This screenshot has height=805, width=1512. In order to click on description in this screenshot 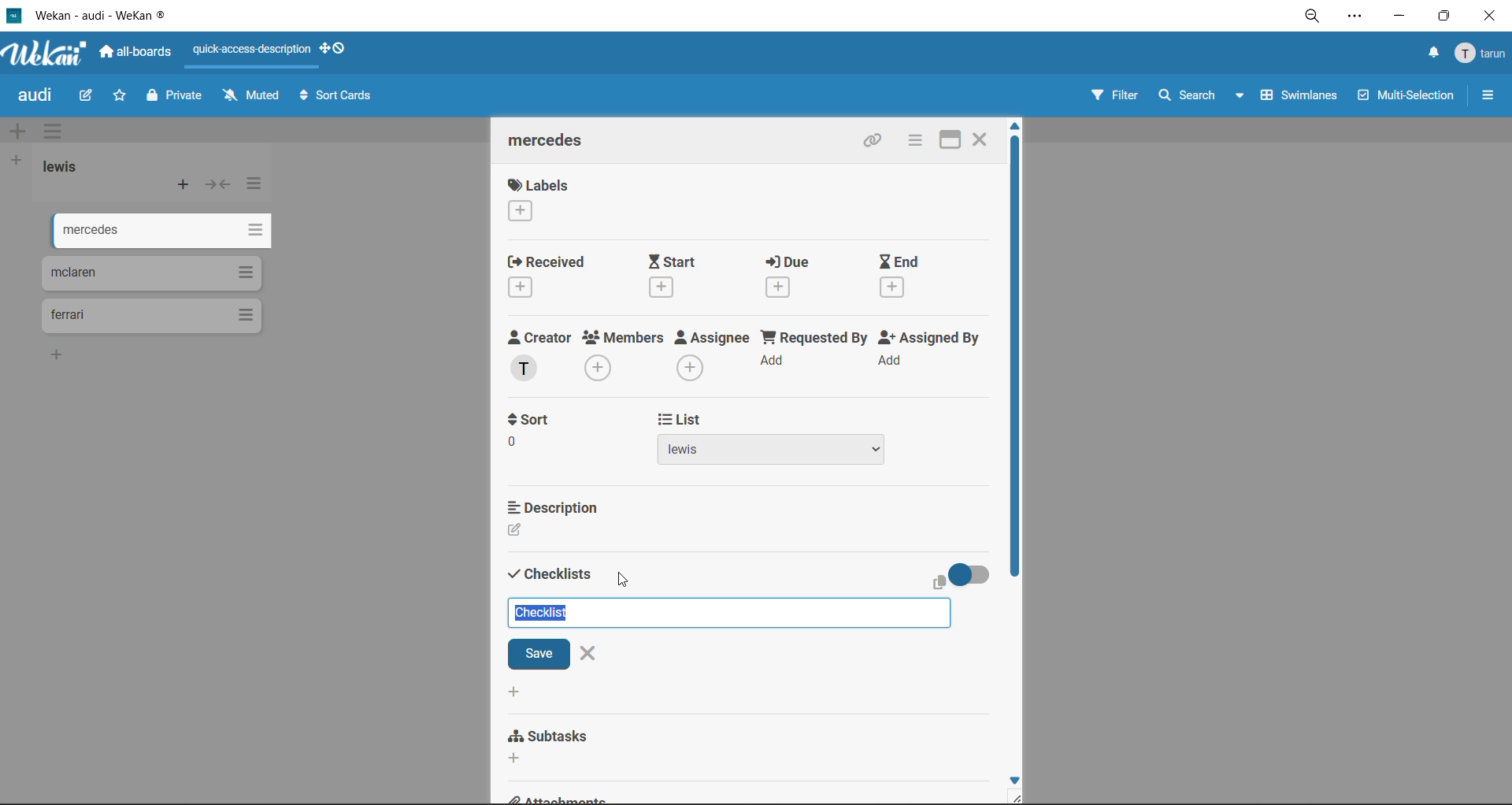, I will do `click(554, 507)`.